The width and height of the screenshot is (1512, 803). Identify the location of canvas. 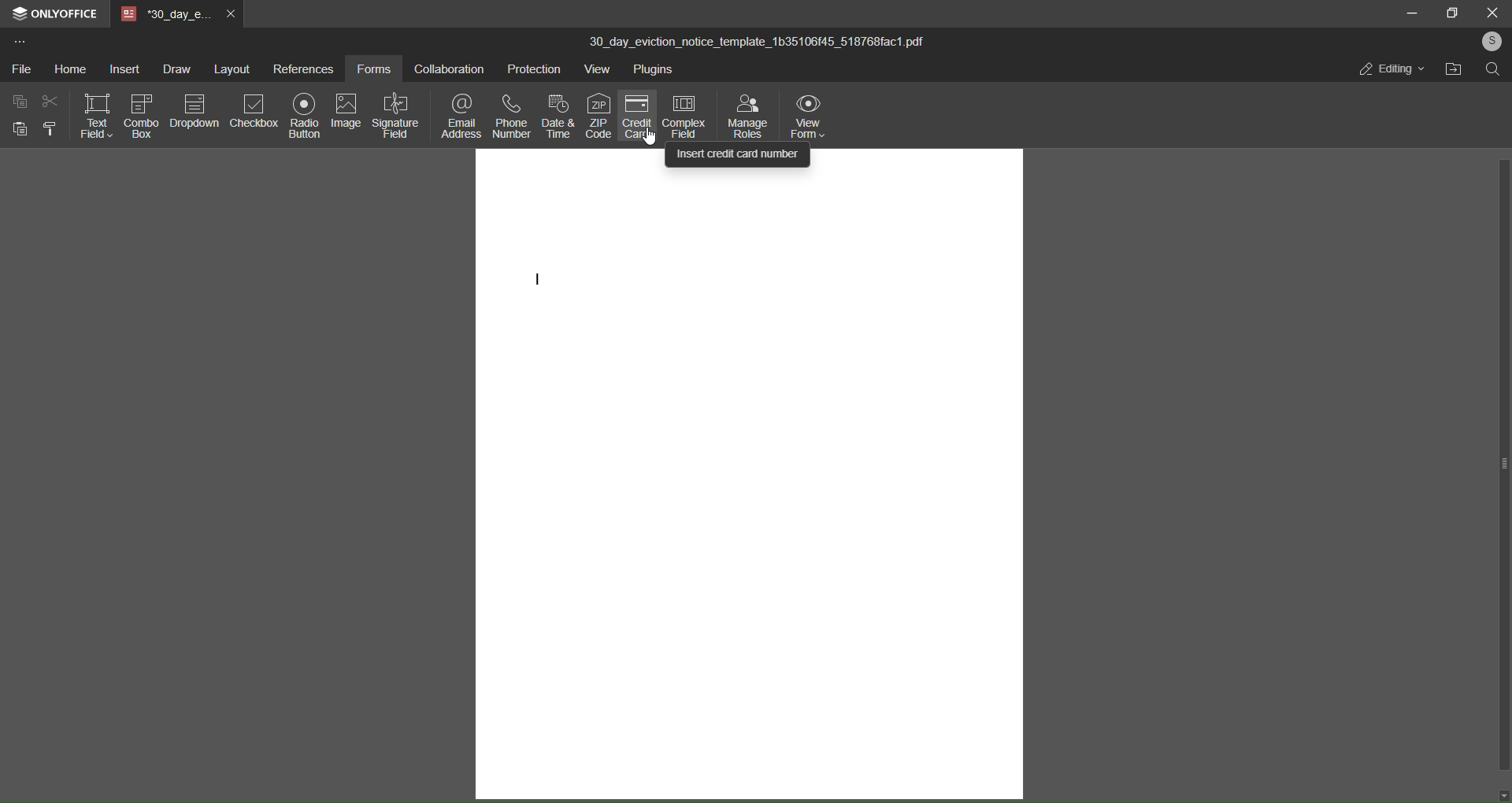
(747, 480).